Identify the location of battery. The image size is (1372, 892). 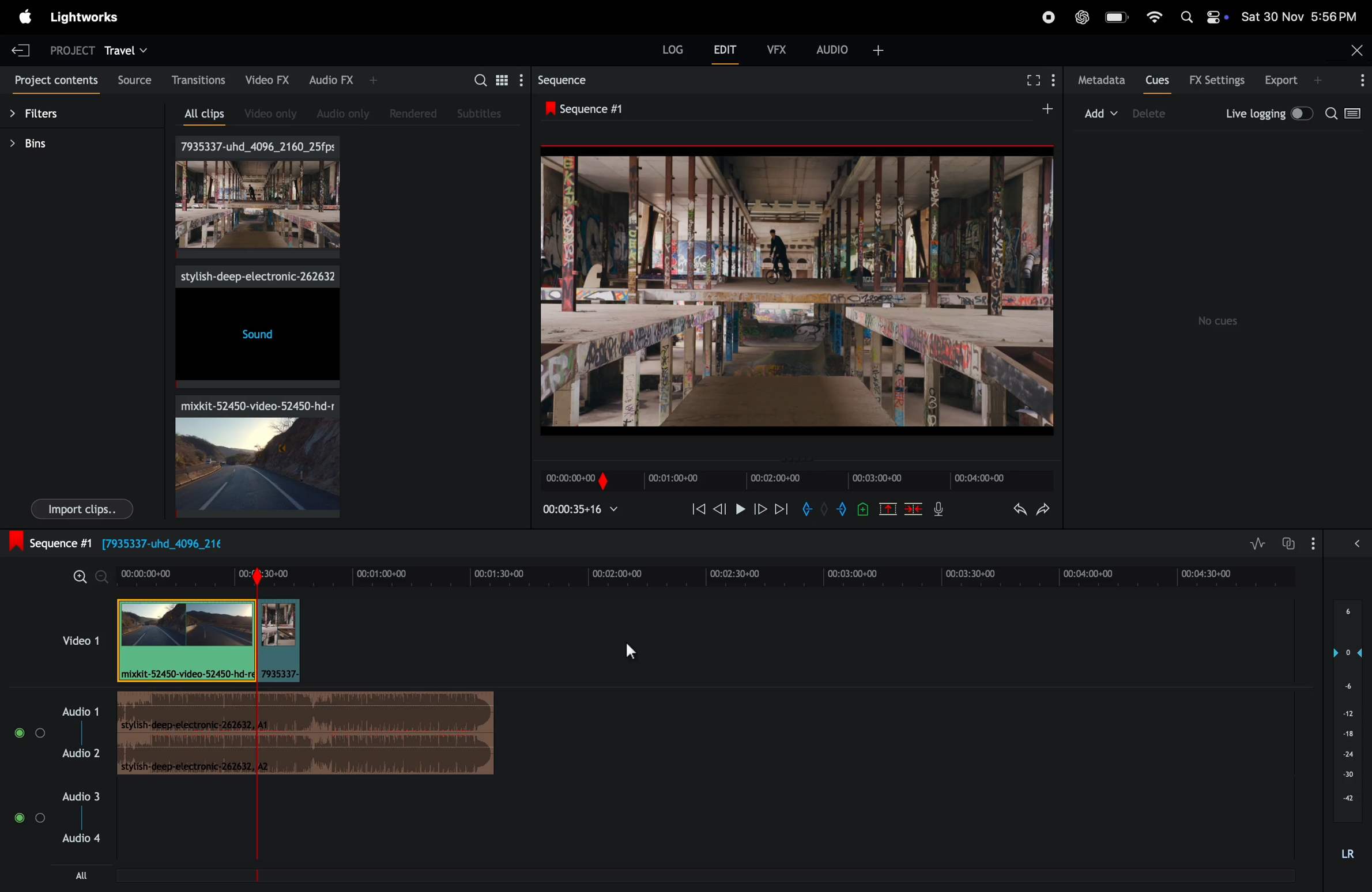
(1118, 18).